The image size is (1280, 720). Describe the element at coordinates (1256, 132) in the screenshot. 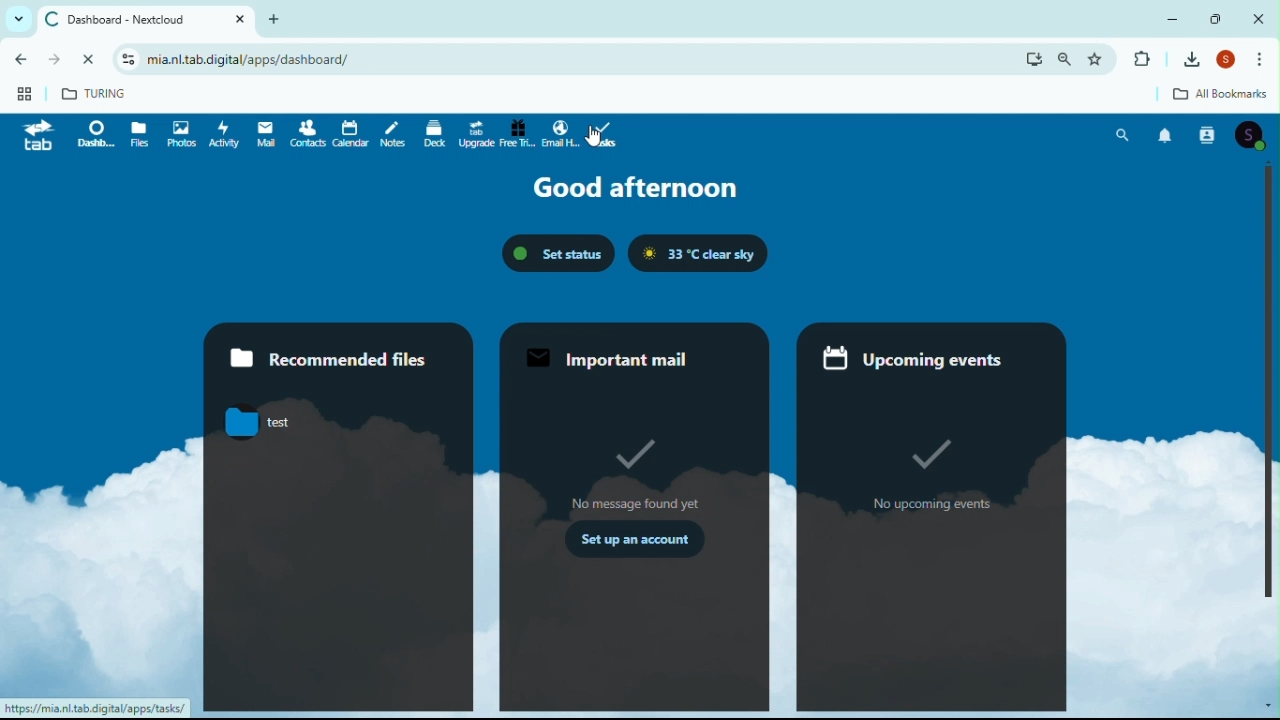

I see `Account icon` at that location.